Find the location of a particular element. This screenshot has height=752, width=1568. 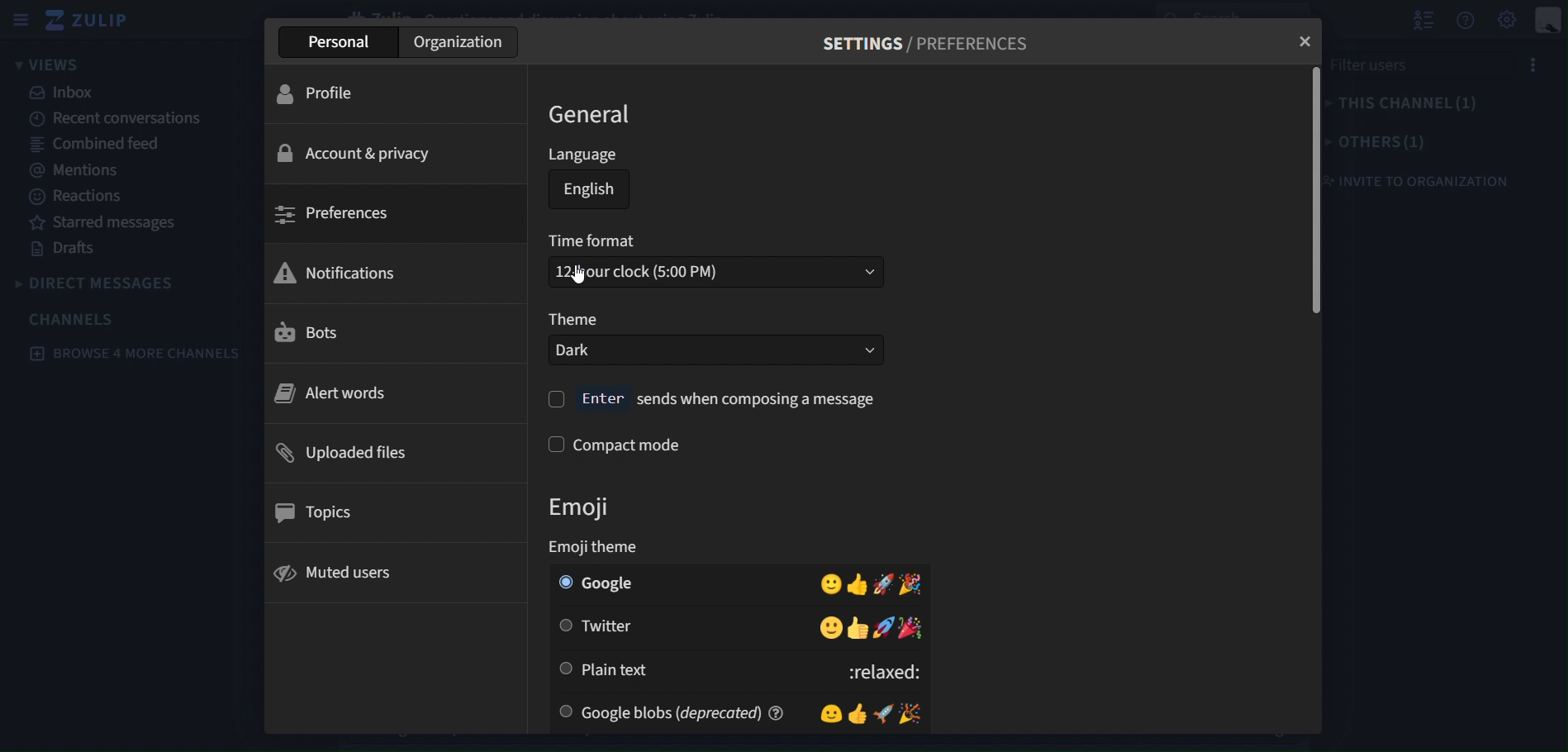

enter sends when composing a message is located at coordinates (731, 397).